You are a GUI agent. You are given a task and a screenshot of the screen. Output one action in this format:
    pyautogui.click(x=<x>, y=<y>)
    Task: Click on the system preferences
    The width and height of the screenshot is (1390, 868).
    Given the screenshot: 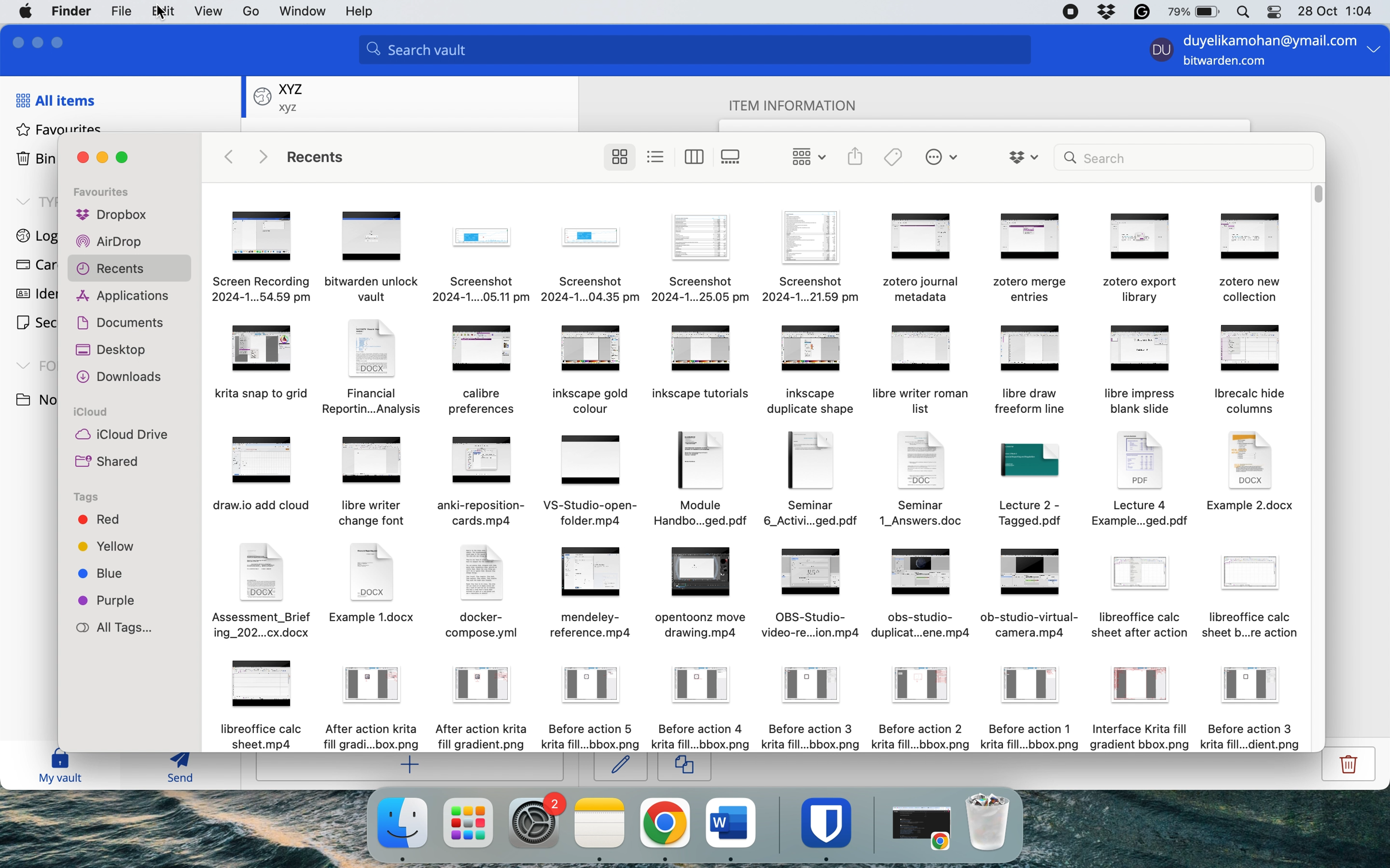 What is the action you would take?
    pyautogui.click(x=536, y=822)
    